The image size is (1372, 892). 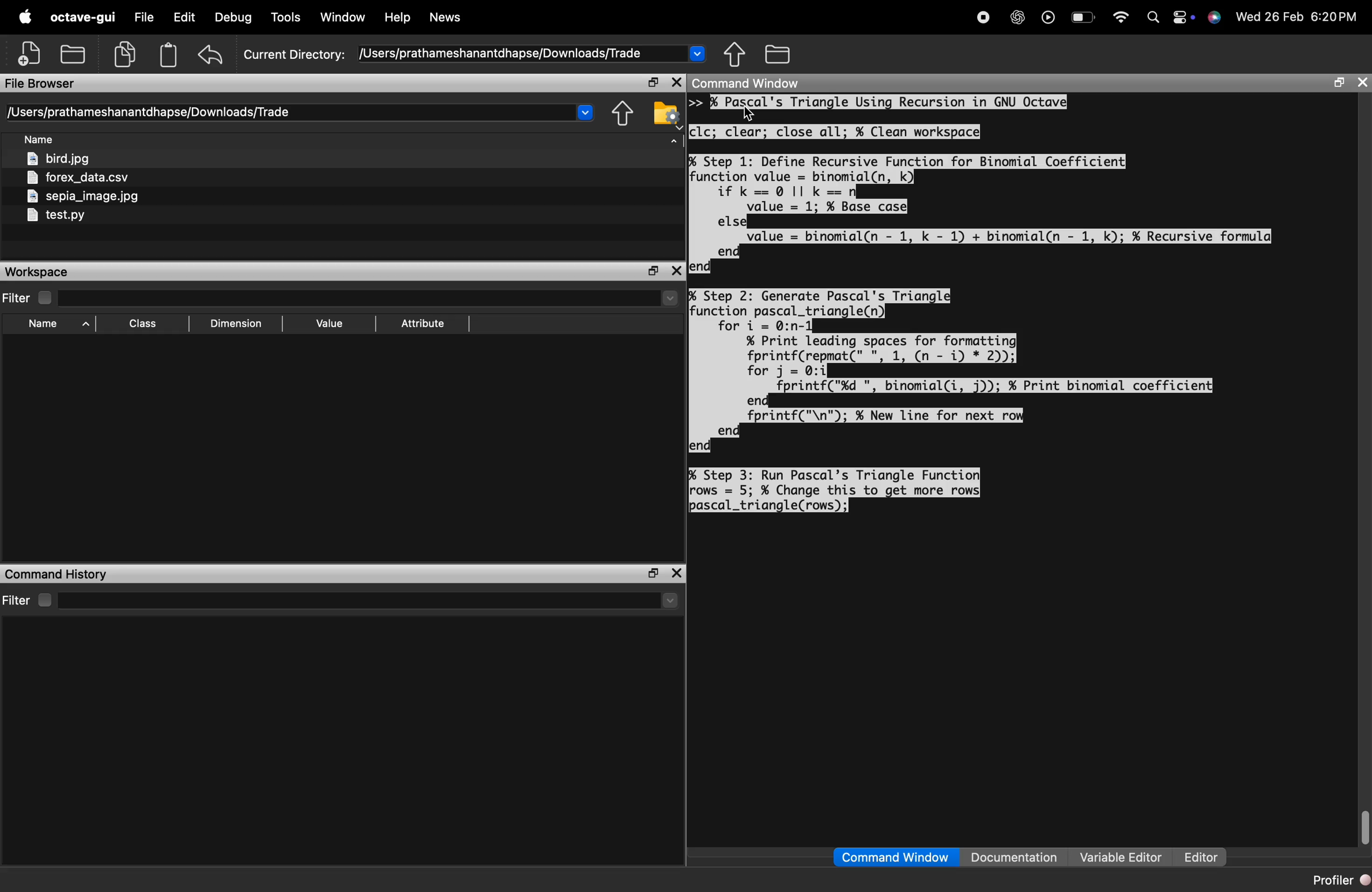 What do you see at coordinates (619, 114) in the screenshot?
I see `Go back` at bounding box center [619, 114].